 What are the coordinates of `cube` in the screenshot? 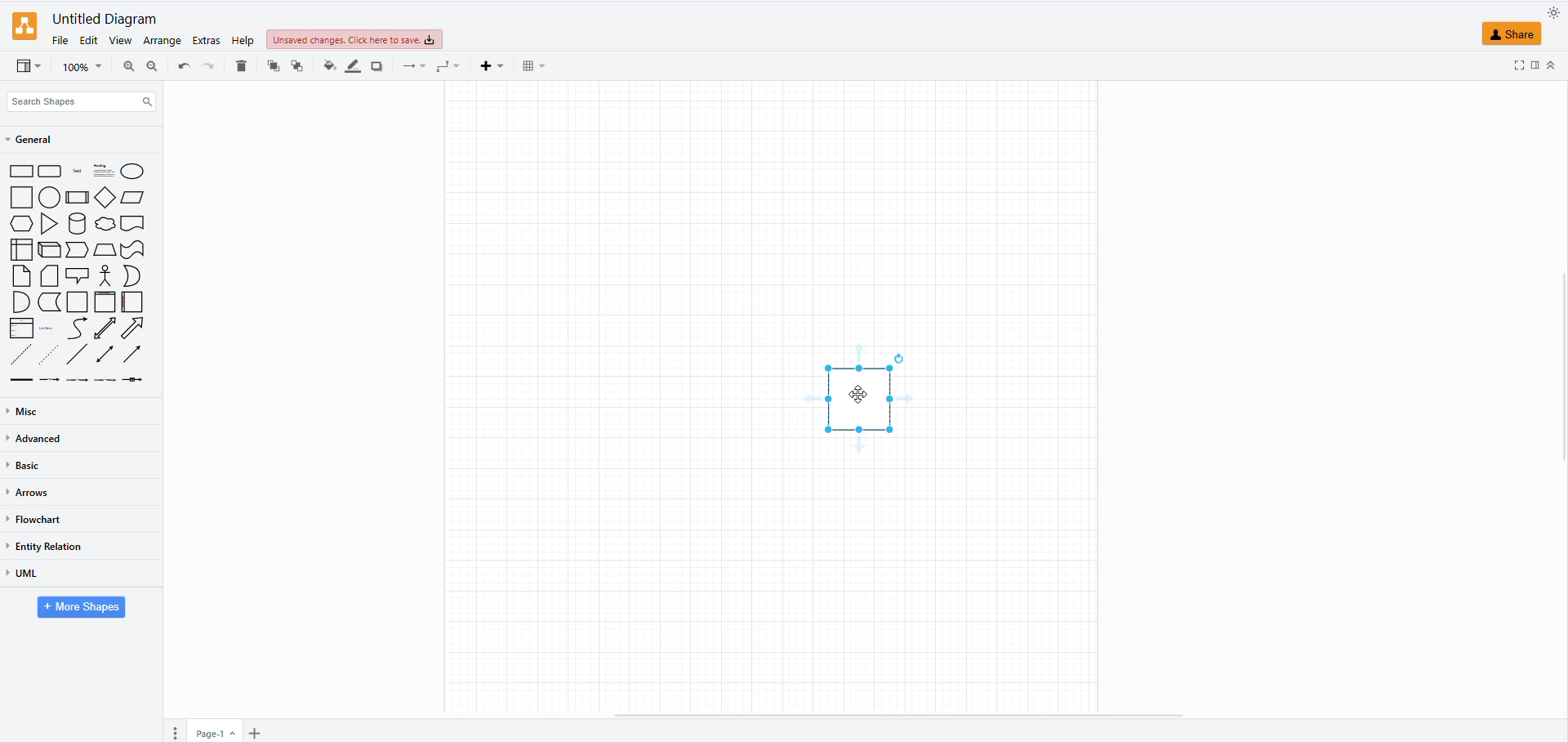 It's located at (49, 251).